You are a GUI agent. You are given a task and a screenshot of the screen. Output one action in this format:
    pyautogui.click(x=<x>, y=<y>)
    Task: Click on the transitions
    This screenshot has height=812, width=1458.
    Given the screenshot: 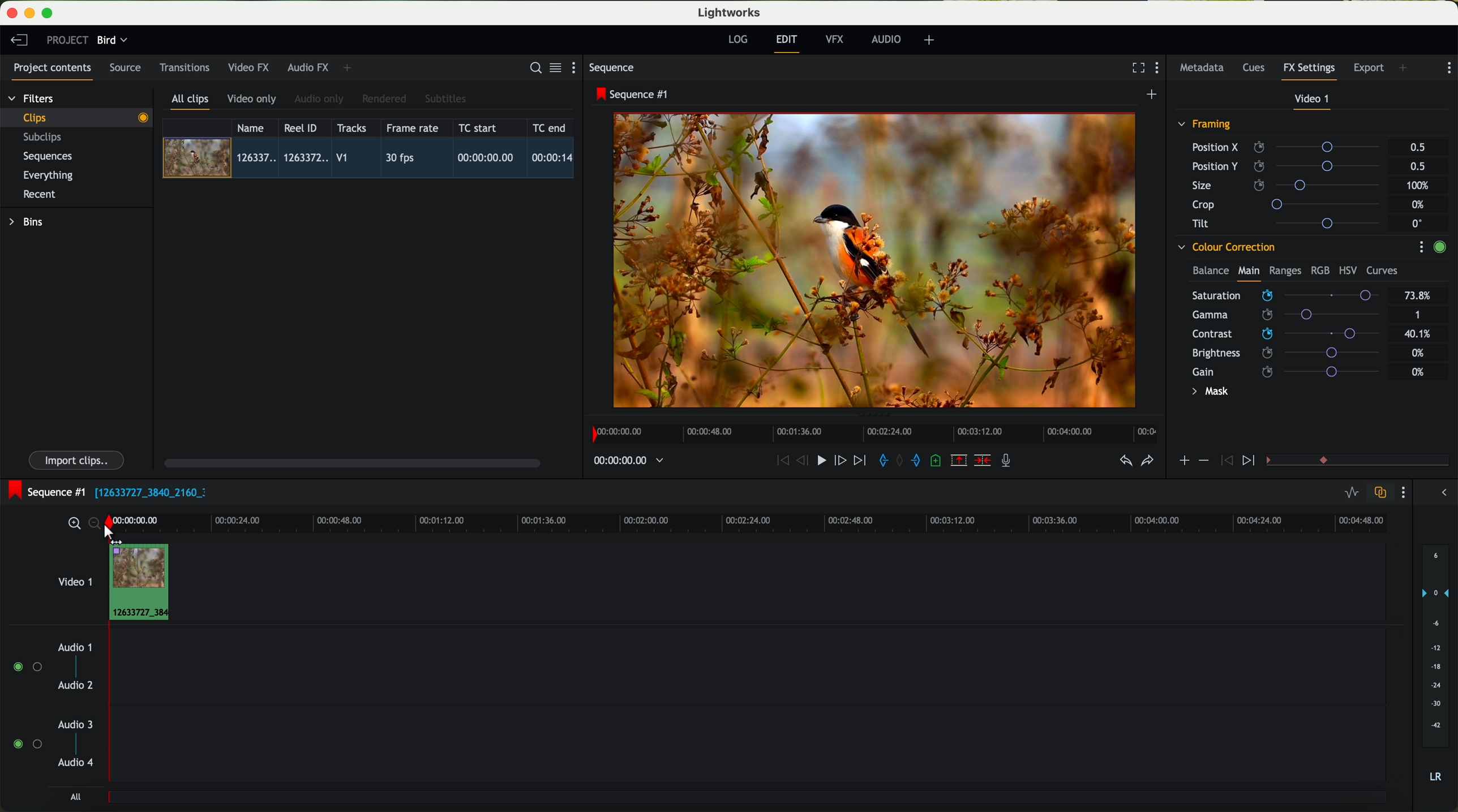 What is the action you would take?
    pyautogui.click(x=184, y=67)
    